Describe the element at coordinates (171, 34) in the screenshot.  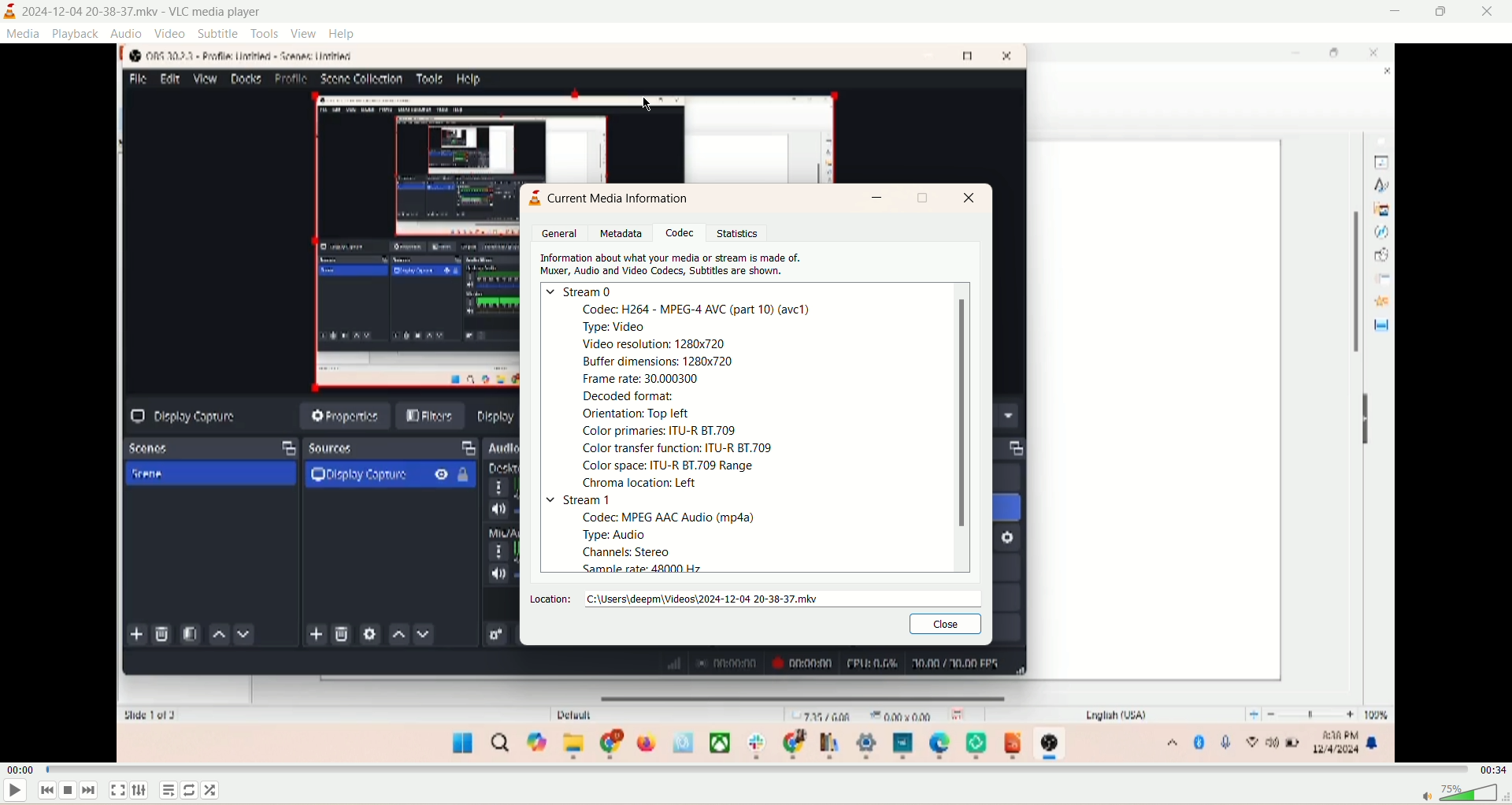
I see `video` at that location.